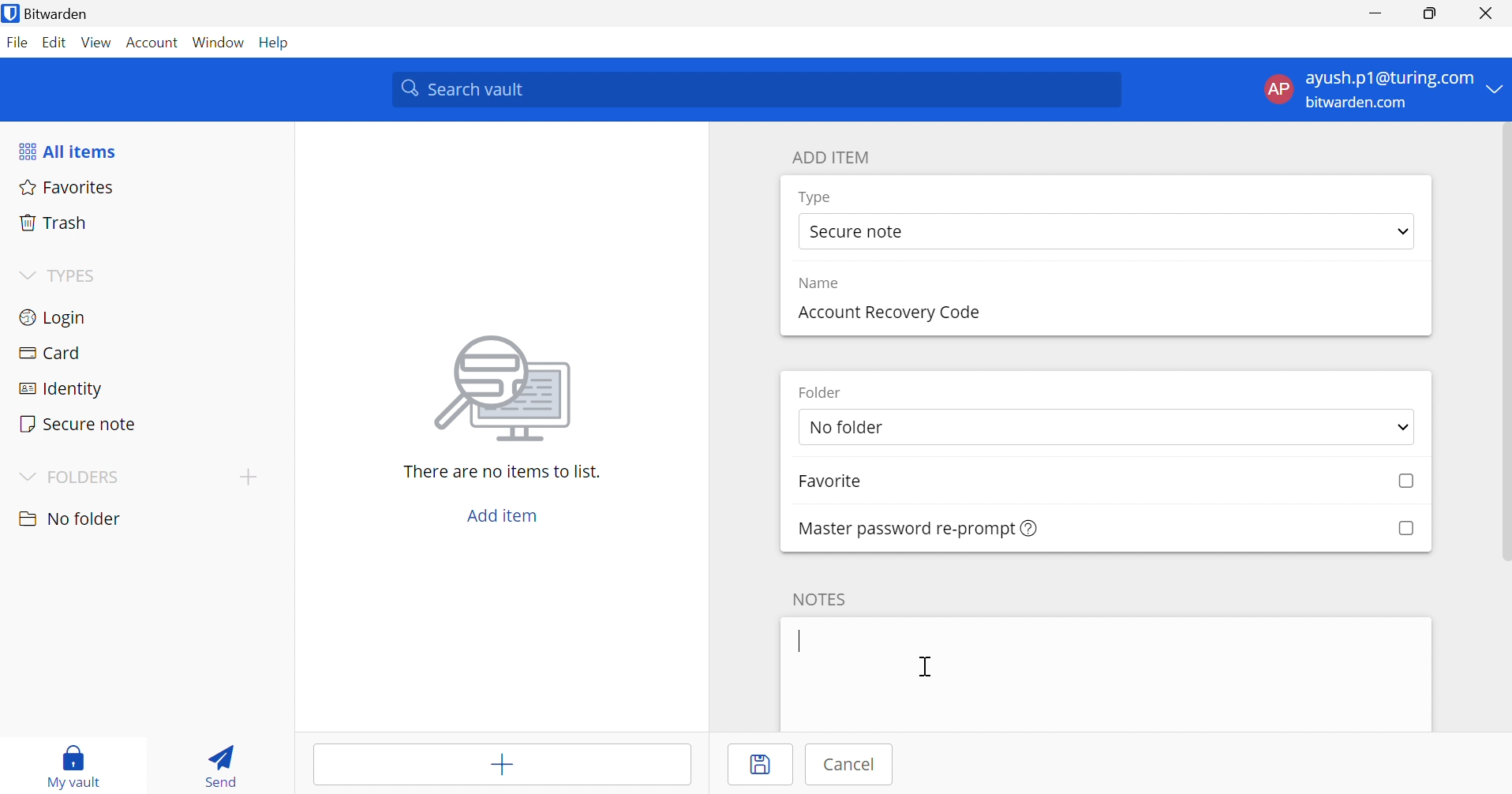  I want to click on FOLDERS, so click(89, 477).